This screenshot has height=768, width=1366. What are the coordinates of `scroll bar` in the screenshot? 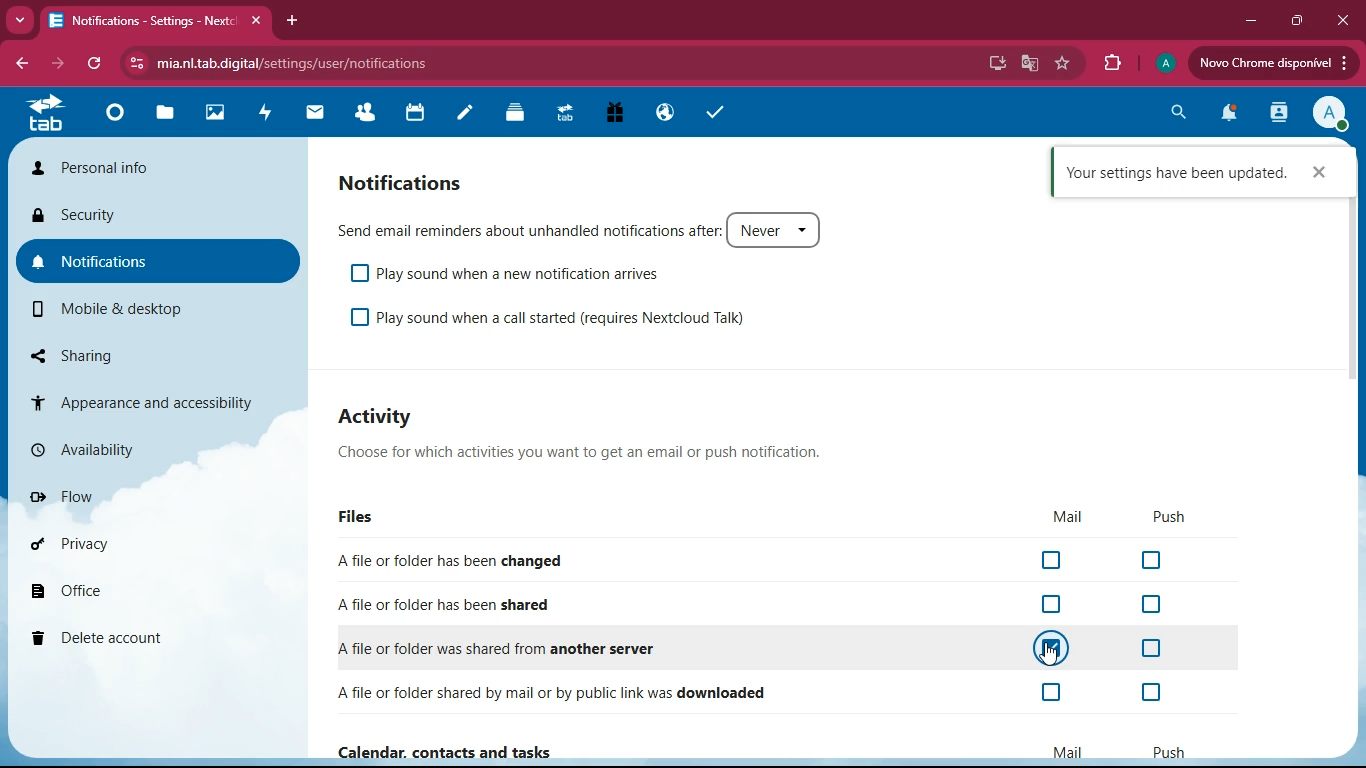 It's located at (1351, 252).